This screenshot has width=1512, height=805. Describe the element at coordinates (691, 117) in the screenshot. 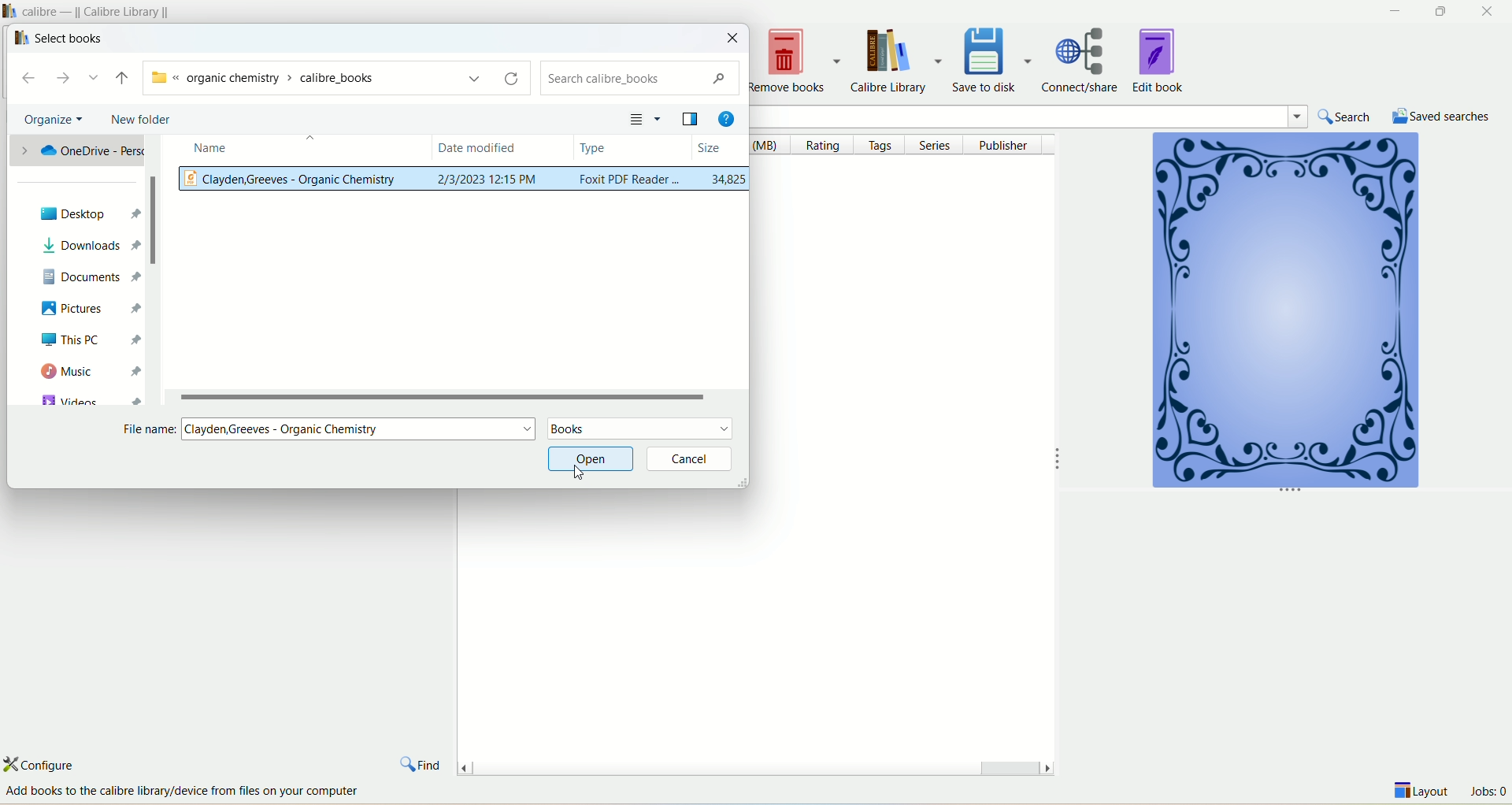

I see `preview` at that location.